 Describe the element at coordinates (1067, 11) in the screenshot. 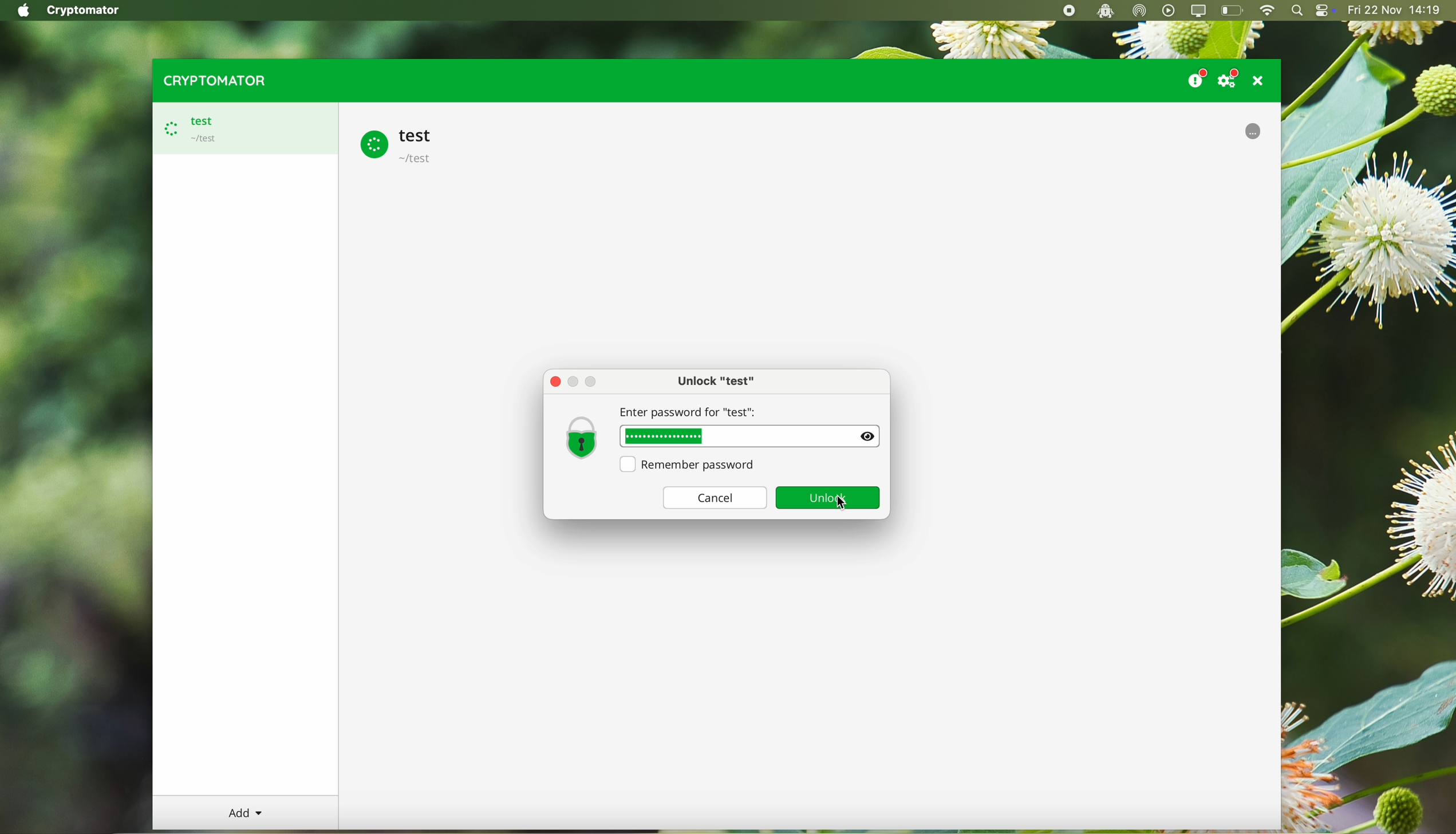

I see `stop recording` at that location.